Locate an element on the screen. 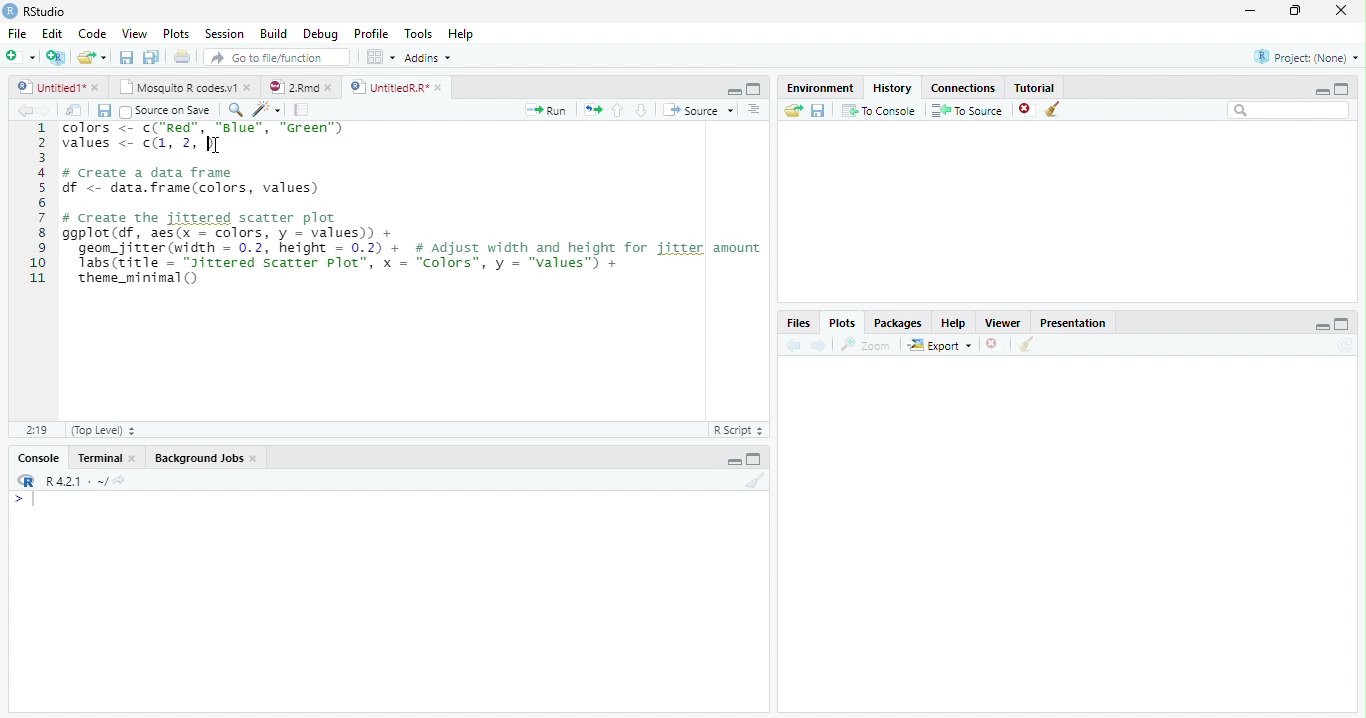 The image size is (1366, 718). restore is located at coordinates (1295, 11).